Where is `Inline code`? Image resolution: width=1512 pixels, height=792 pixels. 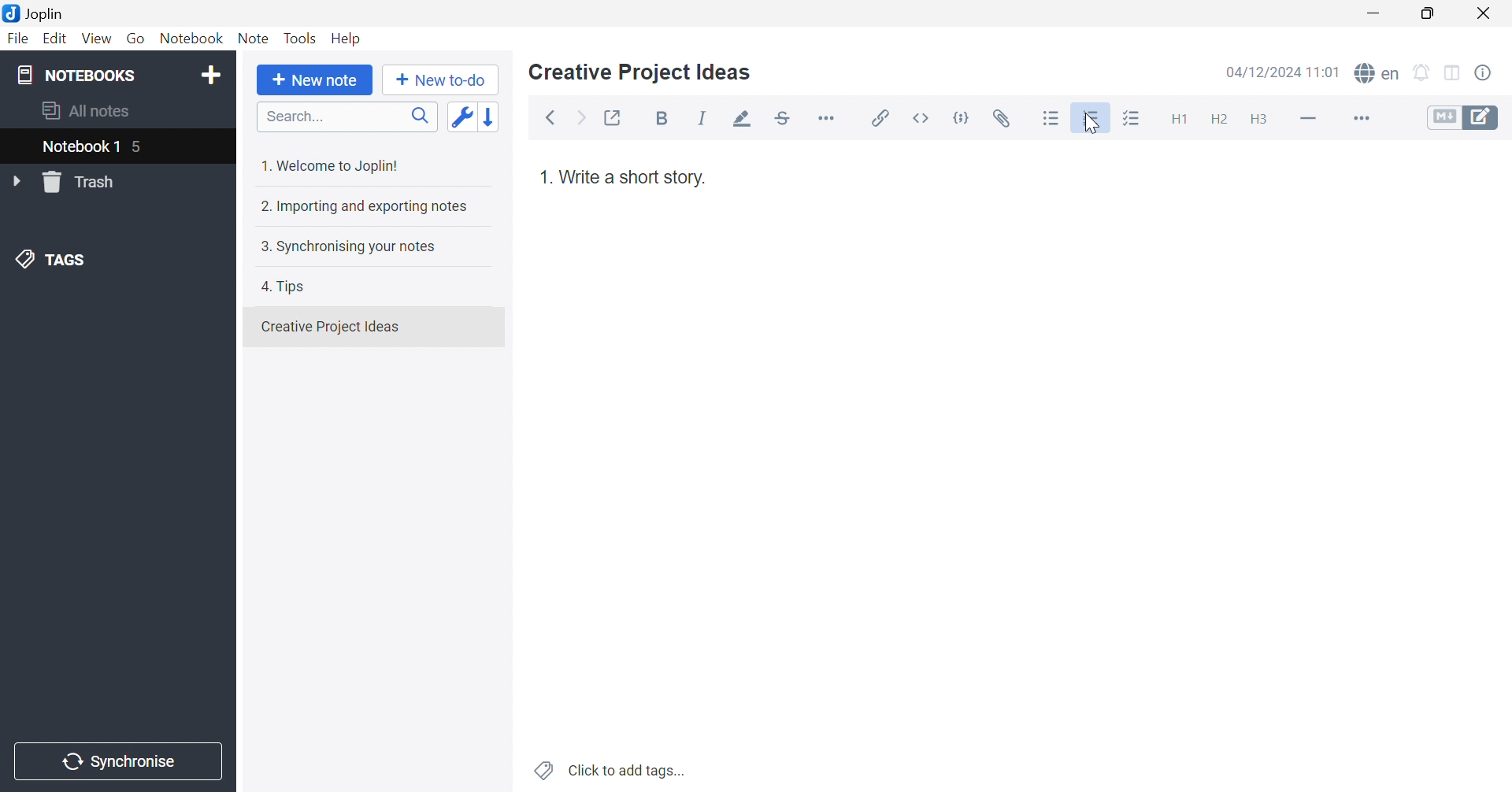
Inline code is located at coordinates (919, 117).